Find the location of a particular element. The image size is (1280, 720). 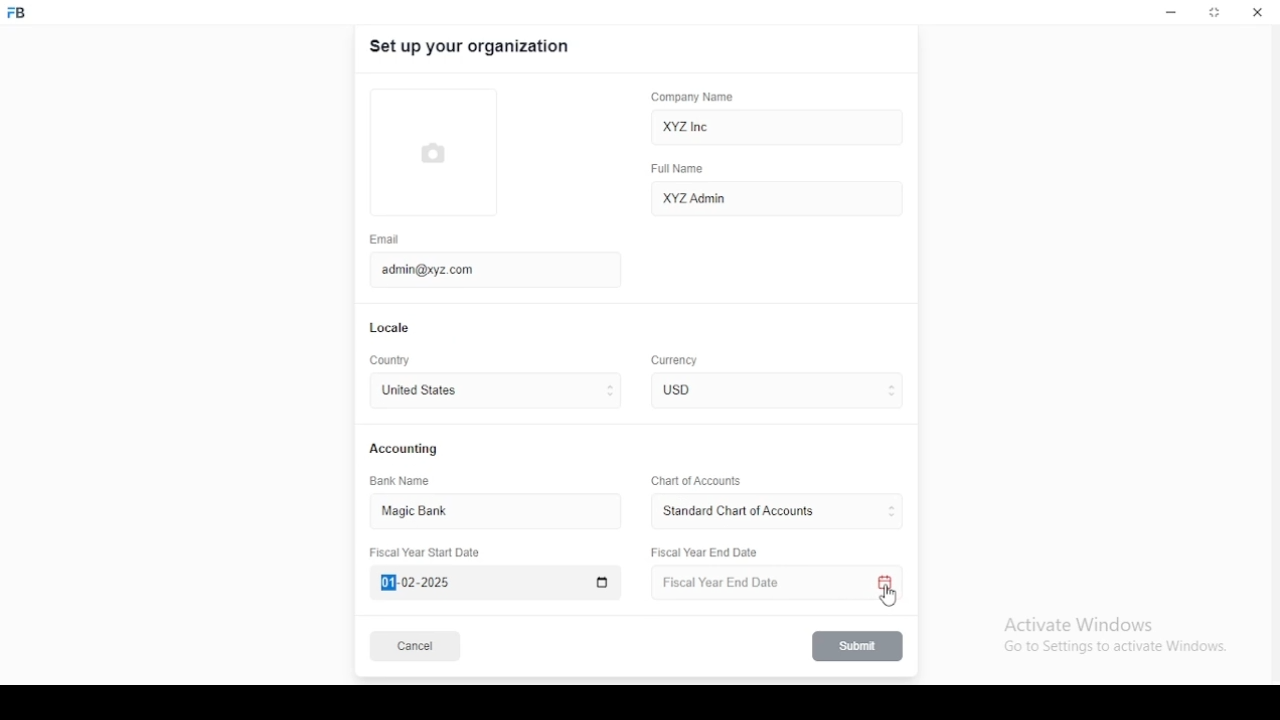

XYZ Inc is located at coordinates (779, 128).